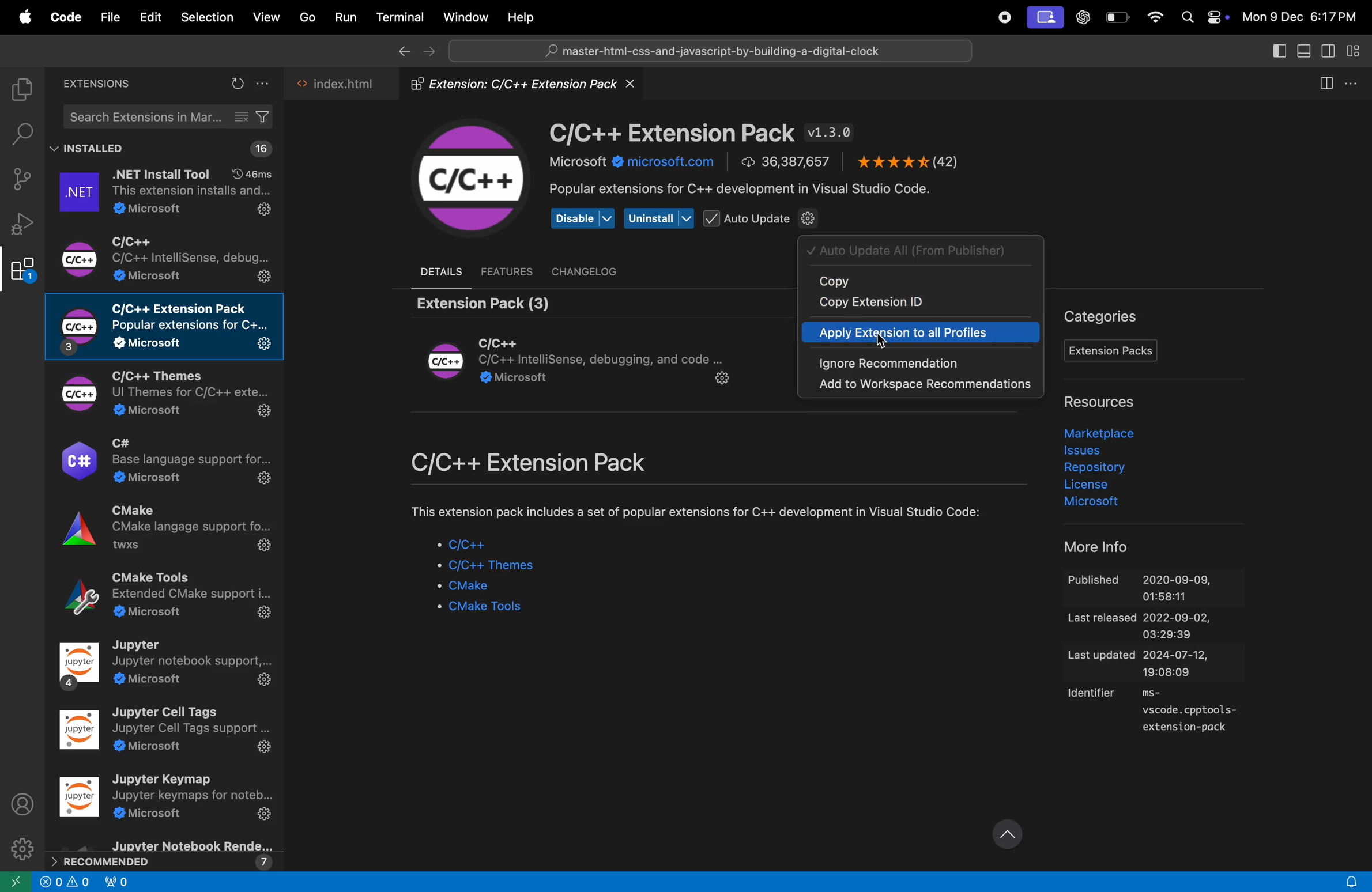 This screenshot has width=1372, height=892. Describe the element at coordinates (1098, 467) in the screenshot. I see `Repository` at that location.